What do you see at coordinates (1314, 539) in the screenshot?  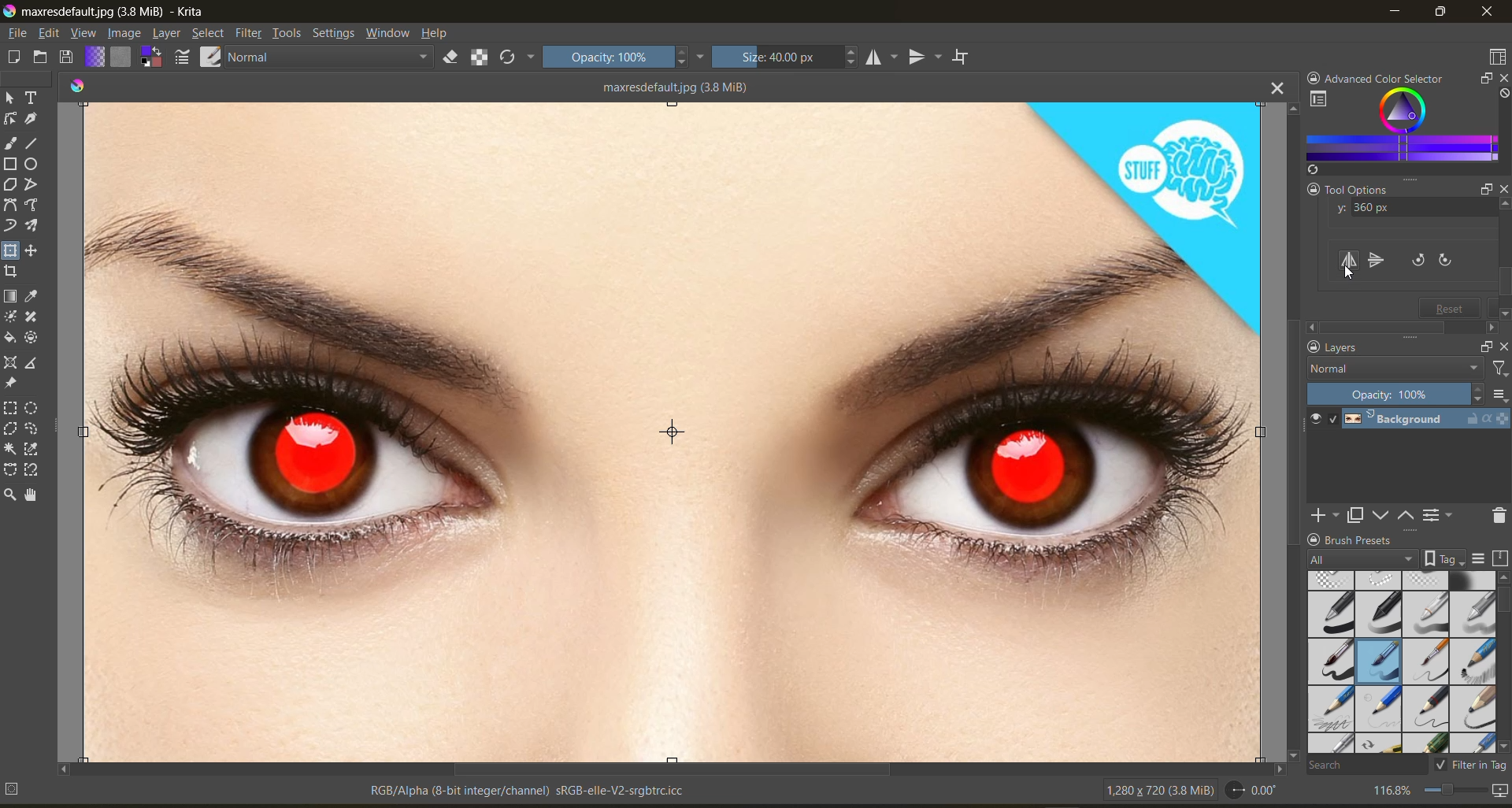 I see `lock docker` at bounding box center [1314, 539].